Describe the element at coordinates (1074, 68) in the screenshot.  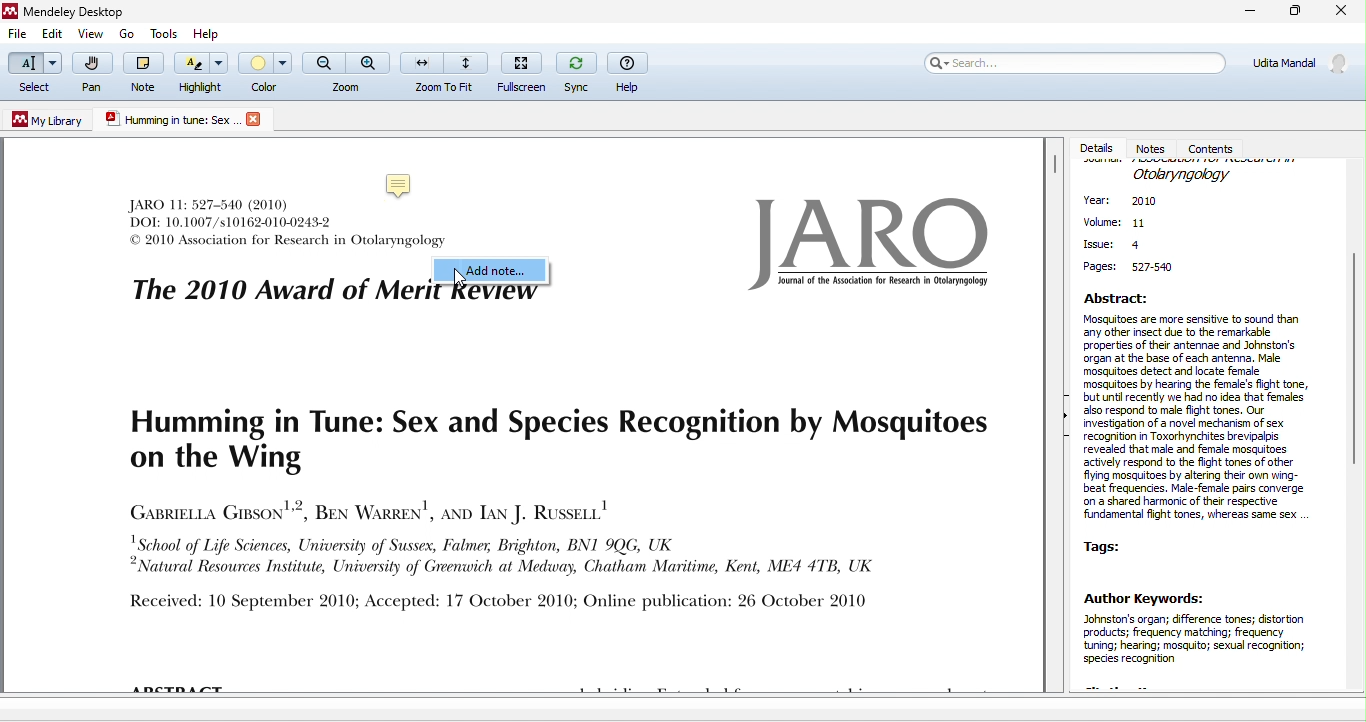
I see `search bar` at that location.